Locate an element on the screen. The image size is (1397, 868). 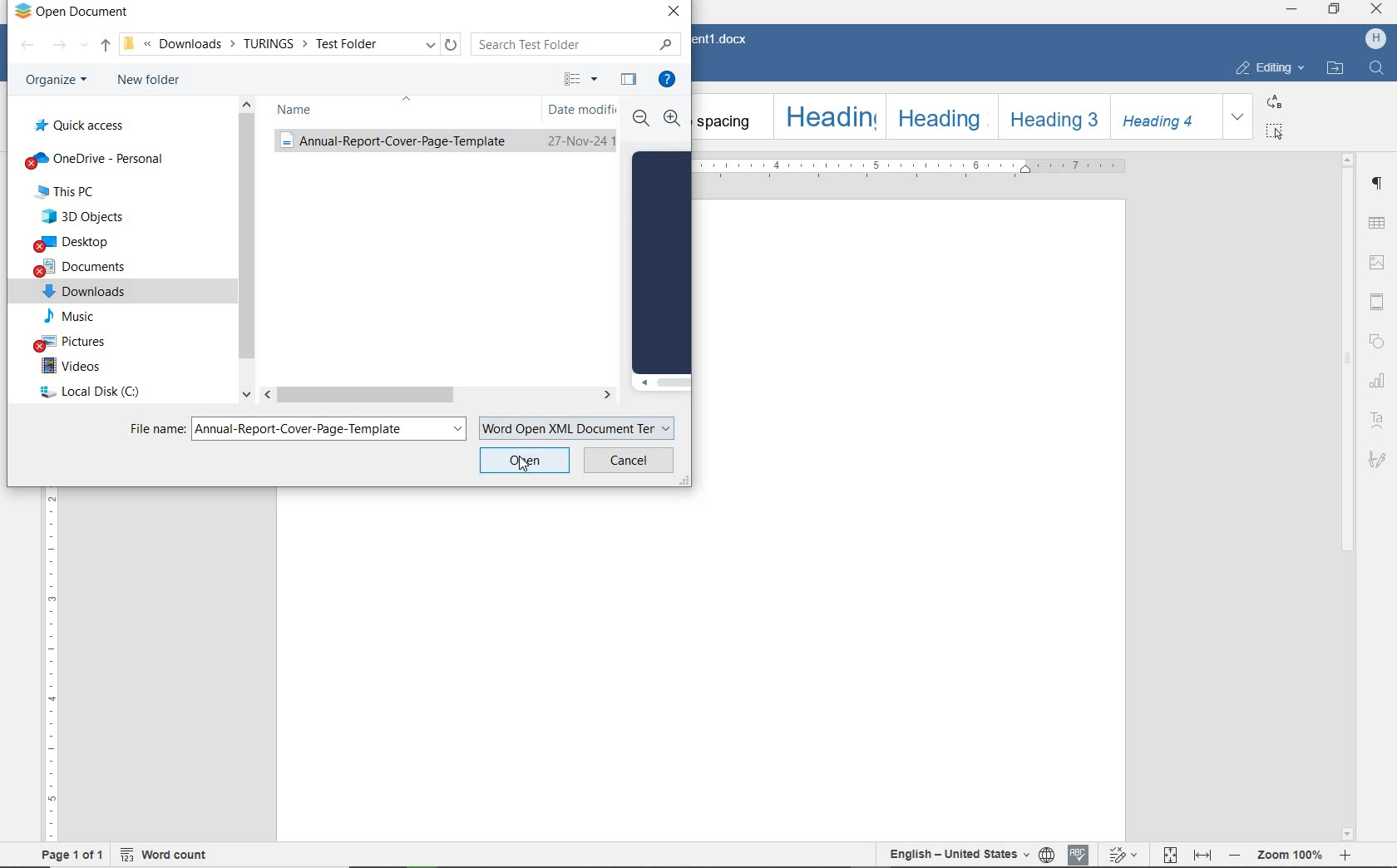
signature is located at coordinates (1375, 459).